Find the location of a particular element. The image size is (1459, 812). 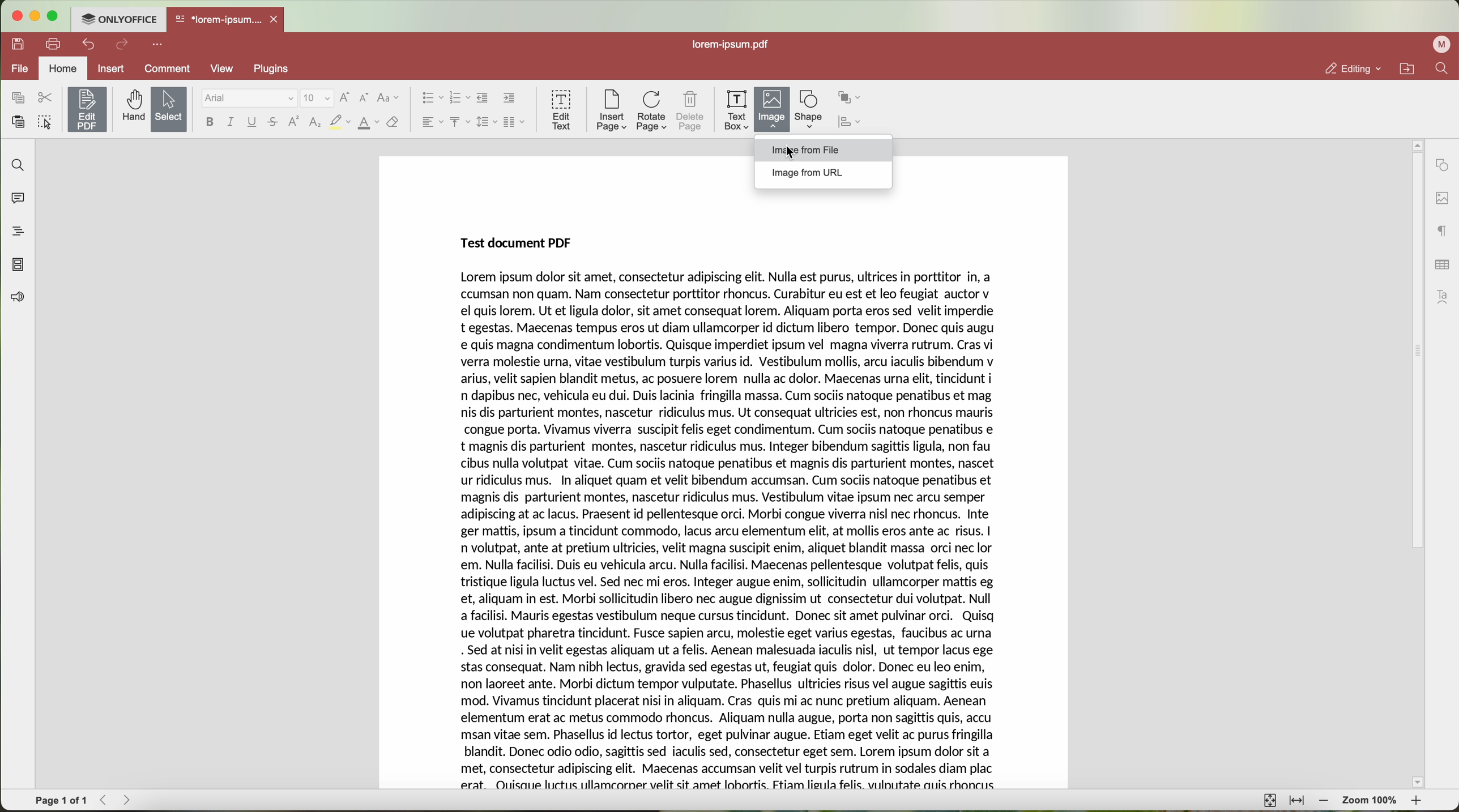

increase indent is located at coordinates (510, 97).